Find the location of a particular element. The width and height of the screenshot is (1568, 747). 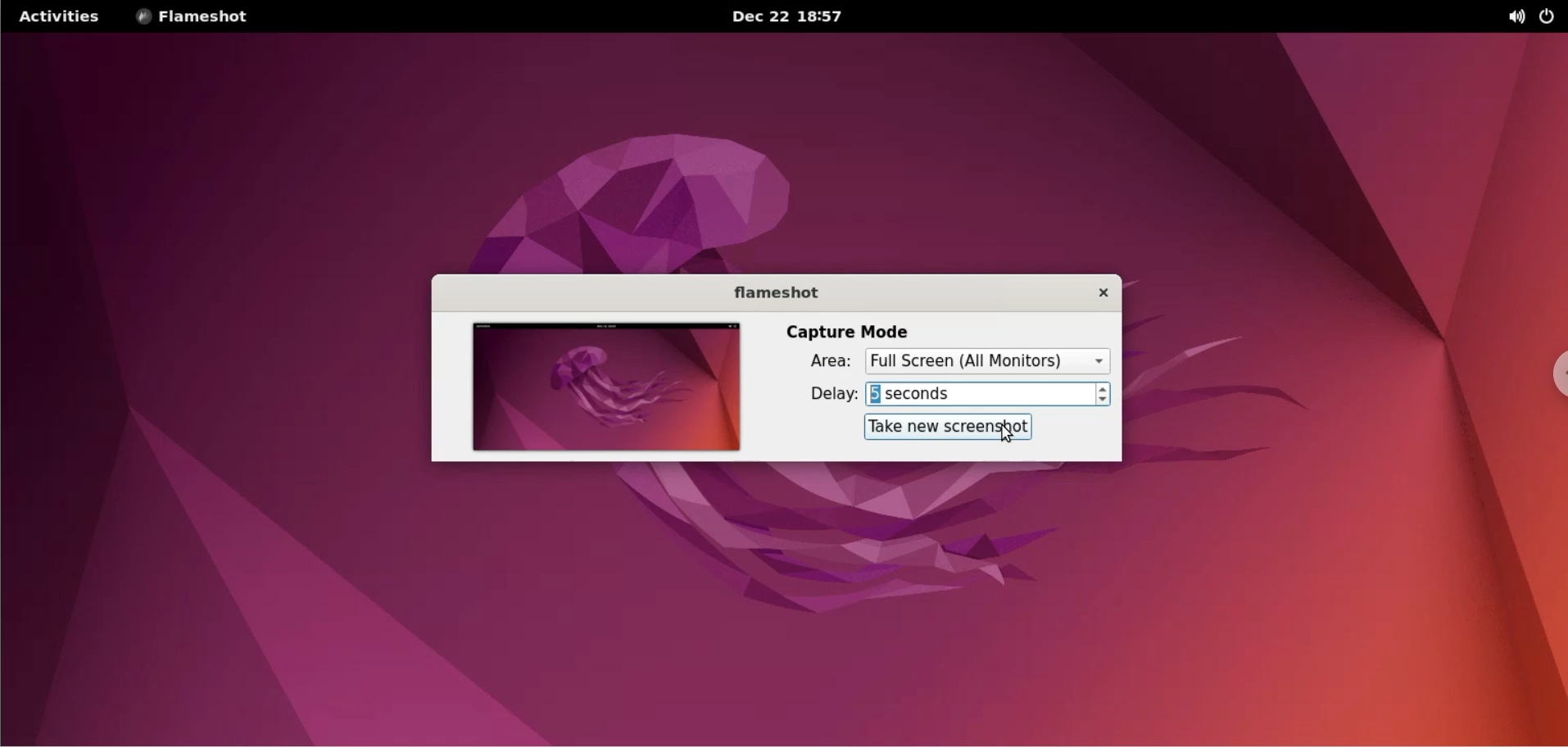

activities is located at coordinates (57, 16).